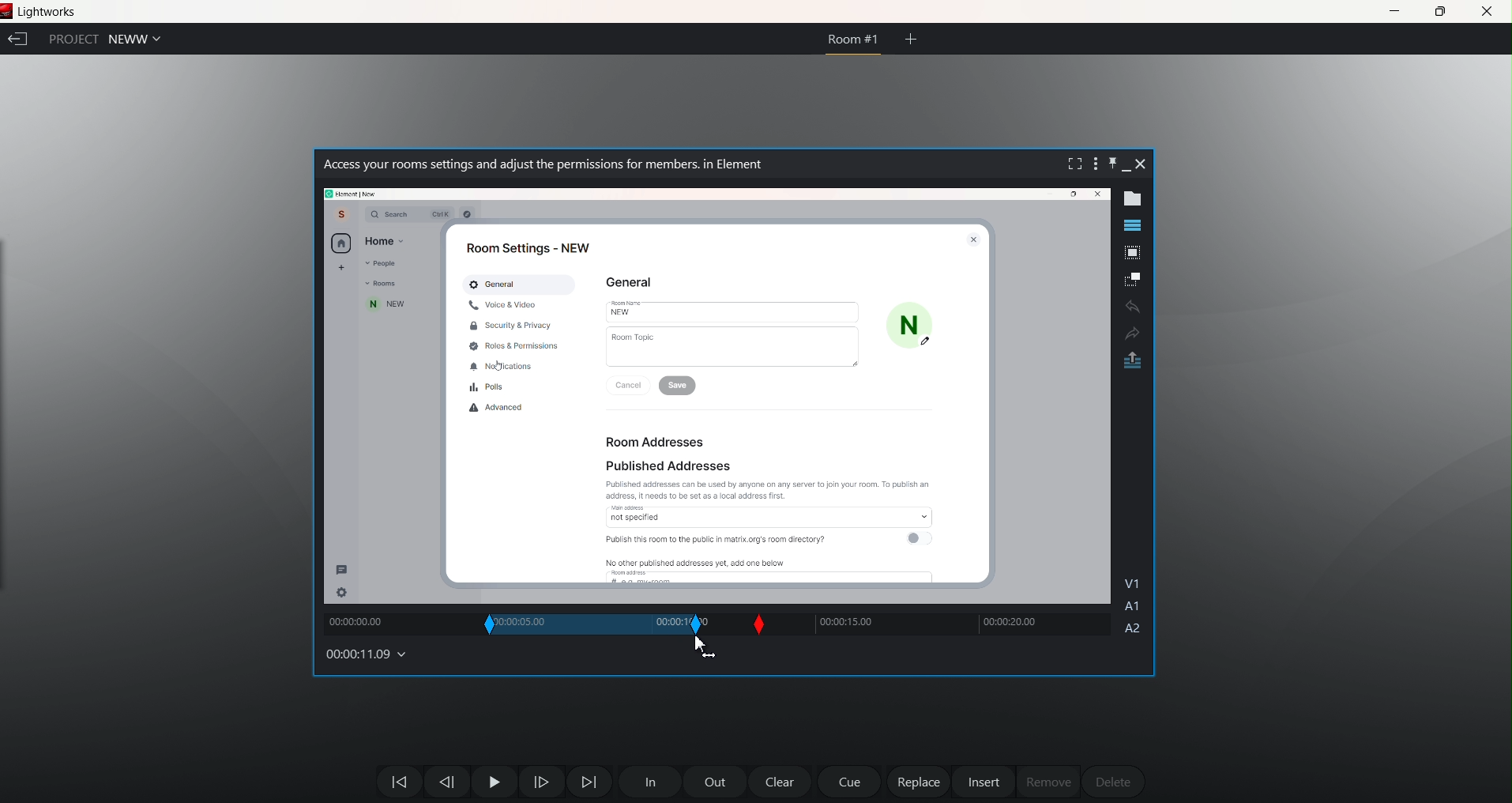 The image size is (1512, 803). What do you see at coordinates (1134, 360) in the screenshot?
I see `pop out` at bounding box center [1134, 360].